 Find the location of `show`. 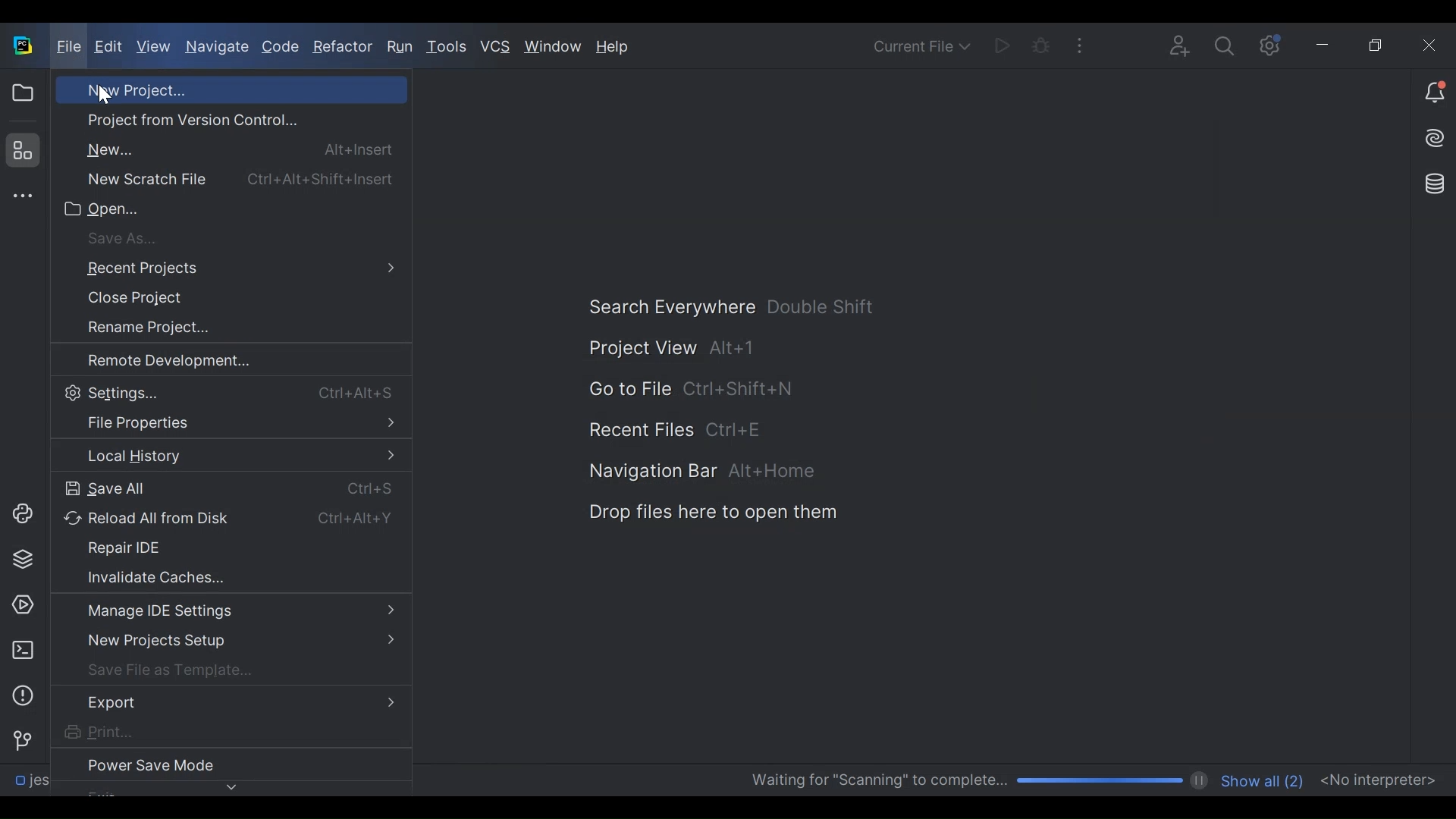

show is located at coordinates (233, 787).